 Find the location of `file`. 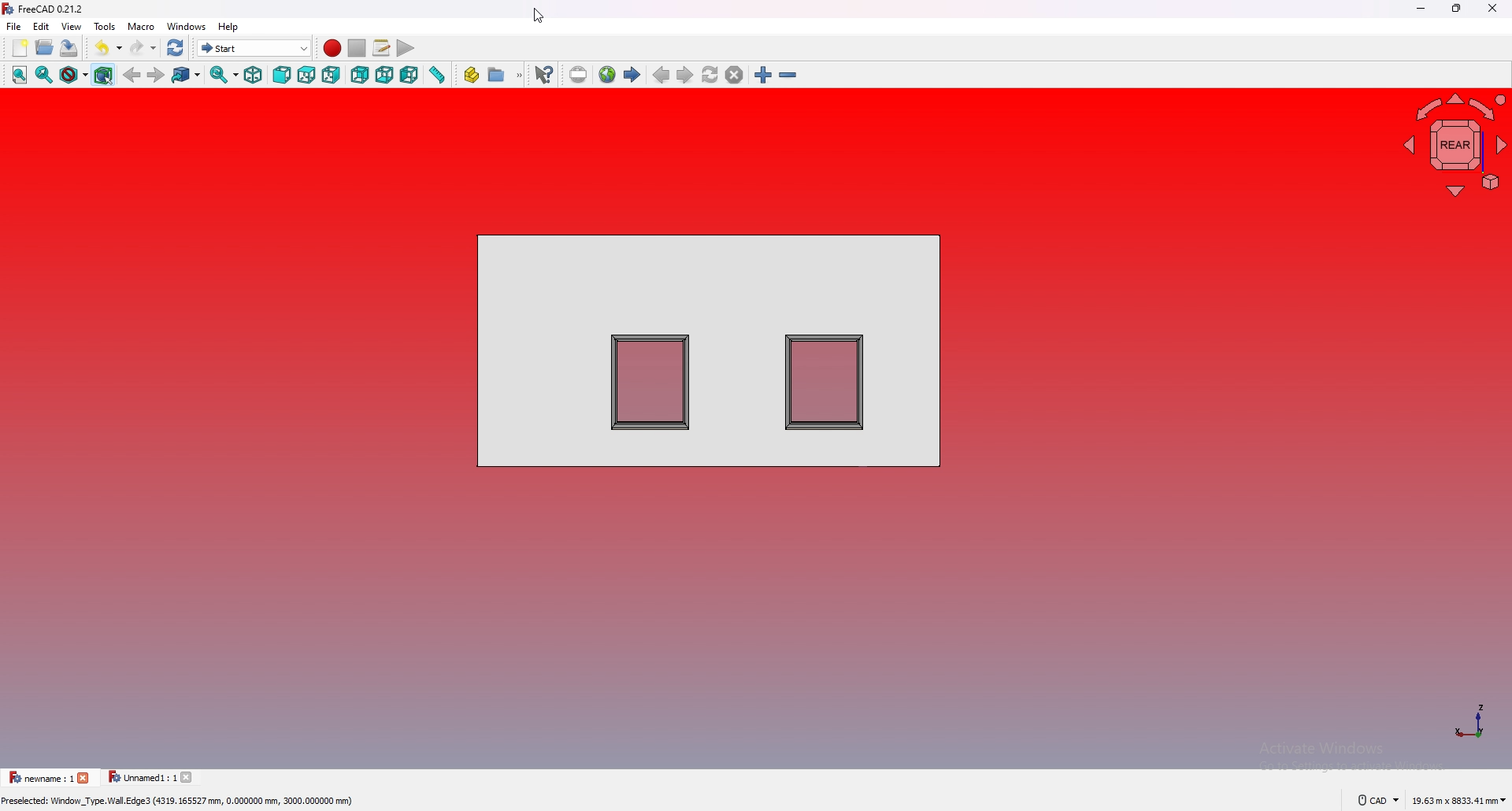

file is located at coordinates (14, 26).